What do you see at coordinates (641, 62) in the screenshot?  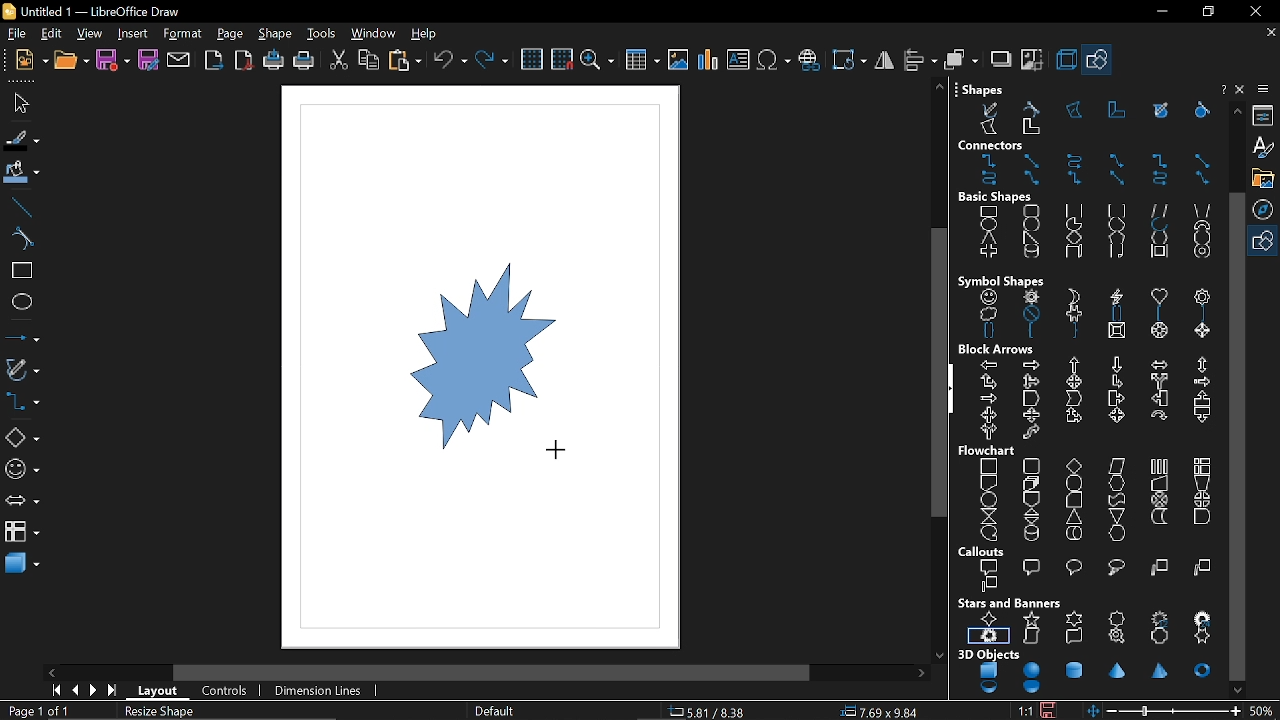 I see `Insert table` at bounding box center [641, 62].